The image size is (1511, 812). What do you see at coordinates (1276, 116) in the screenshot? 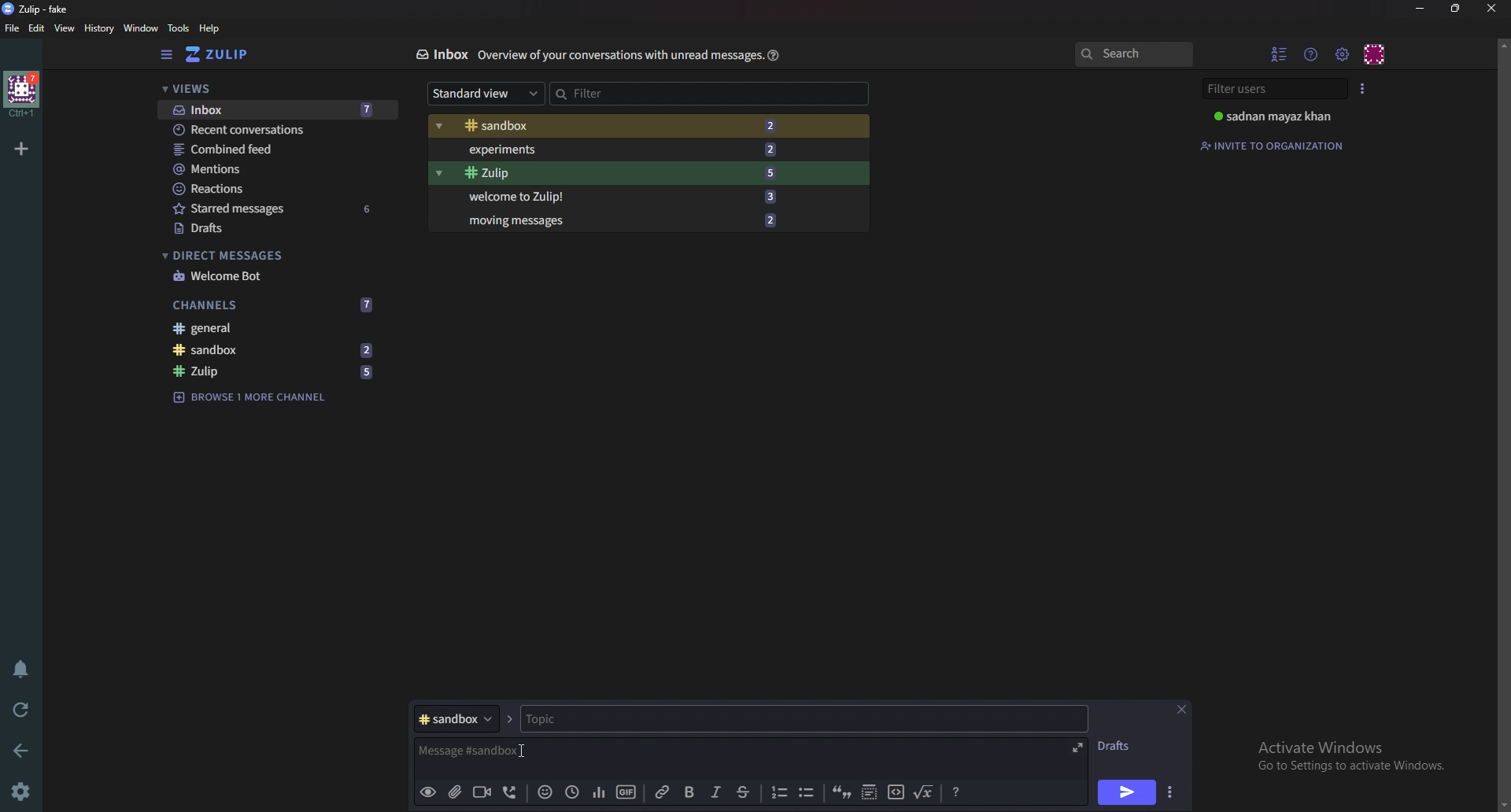
I see `User` at bounding box center [1276, 116].